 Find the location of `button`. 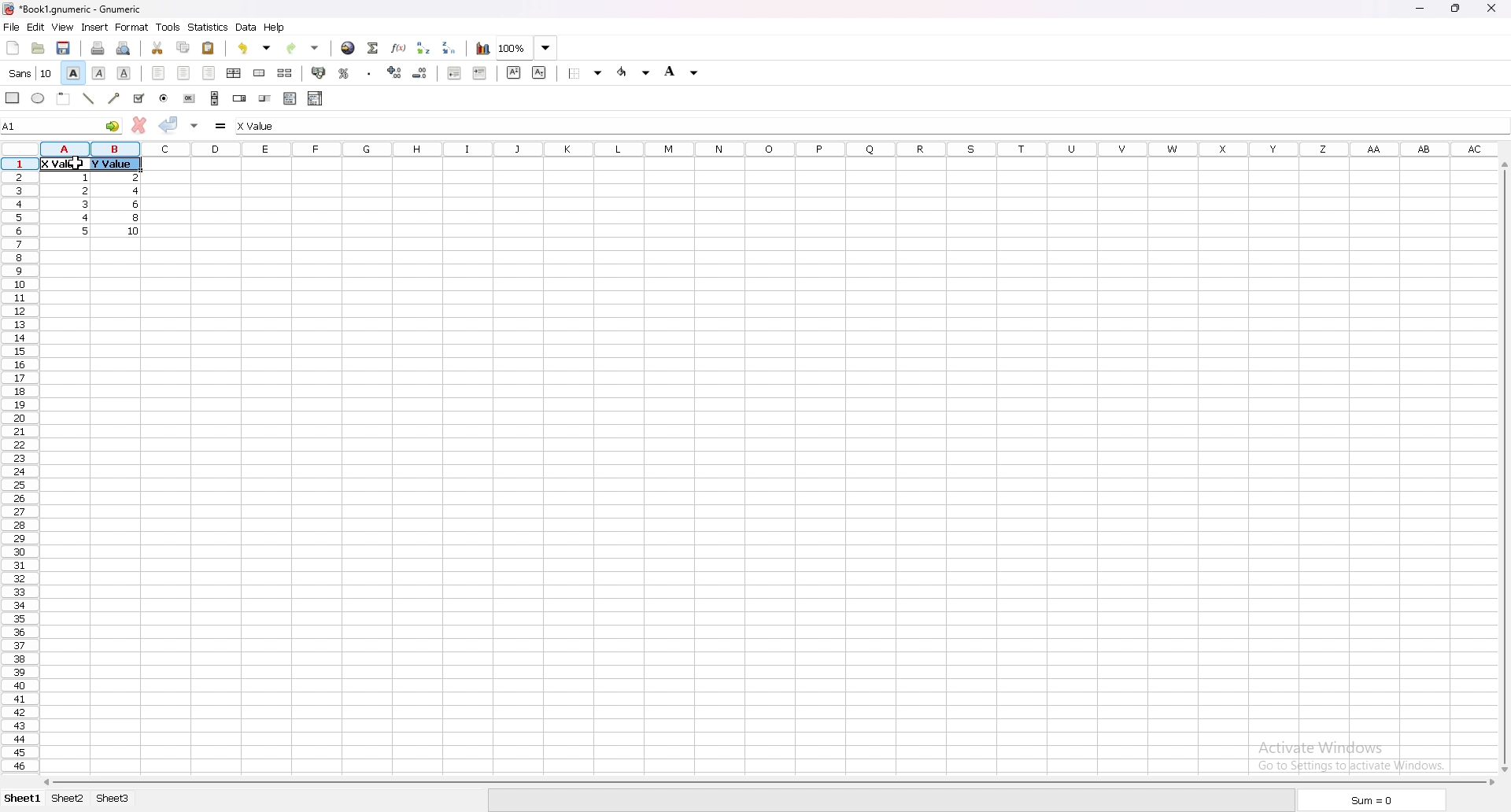

button is located at coordinates (189, 98).